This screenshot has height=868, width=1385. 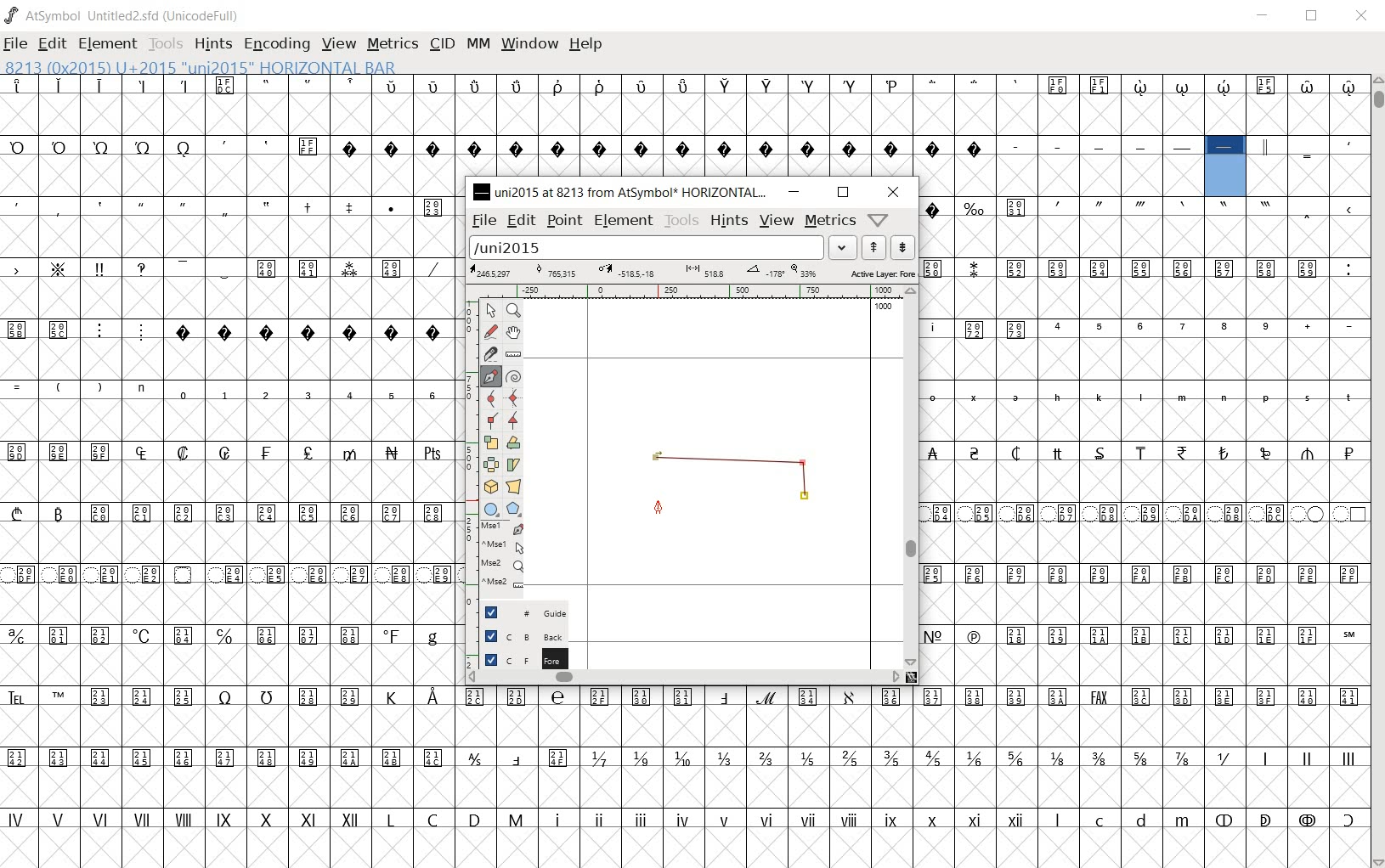 I want to click on restore down, so click(x=842, y=193).